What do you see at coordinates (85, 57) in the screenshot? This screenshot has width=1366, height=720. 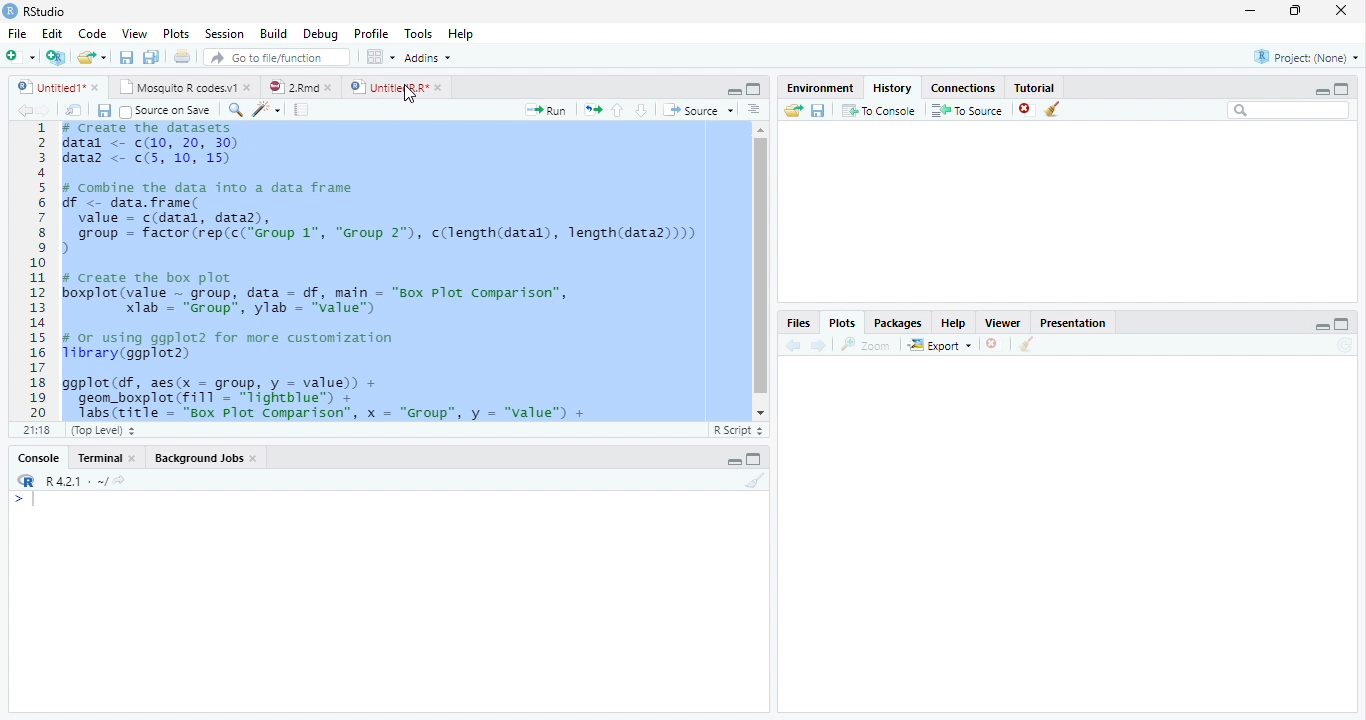 I see `Open an existing file` at bounding box center [85, 57].